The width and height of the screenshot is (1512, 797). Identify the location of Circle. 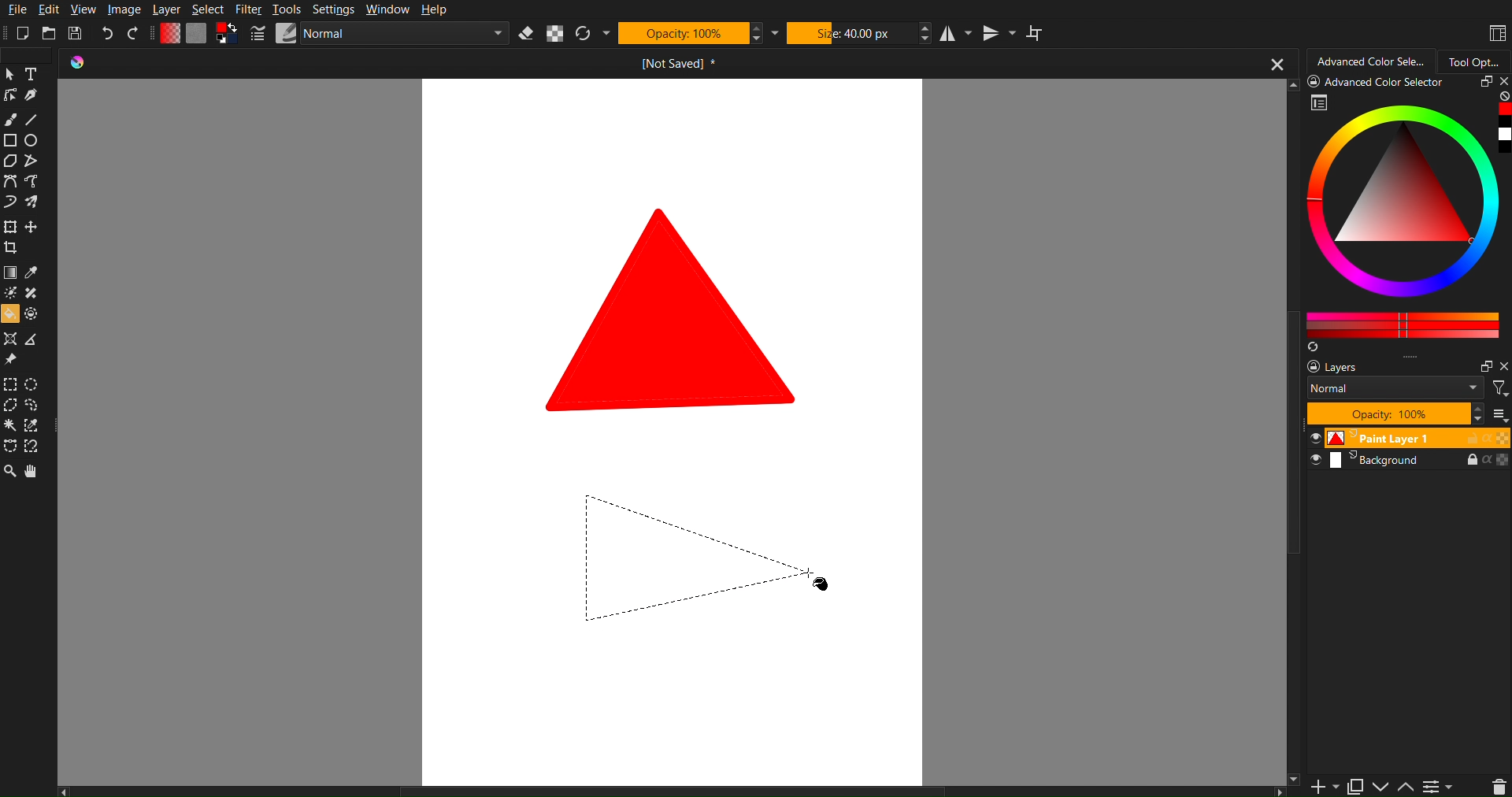
(33, 141).